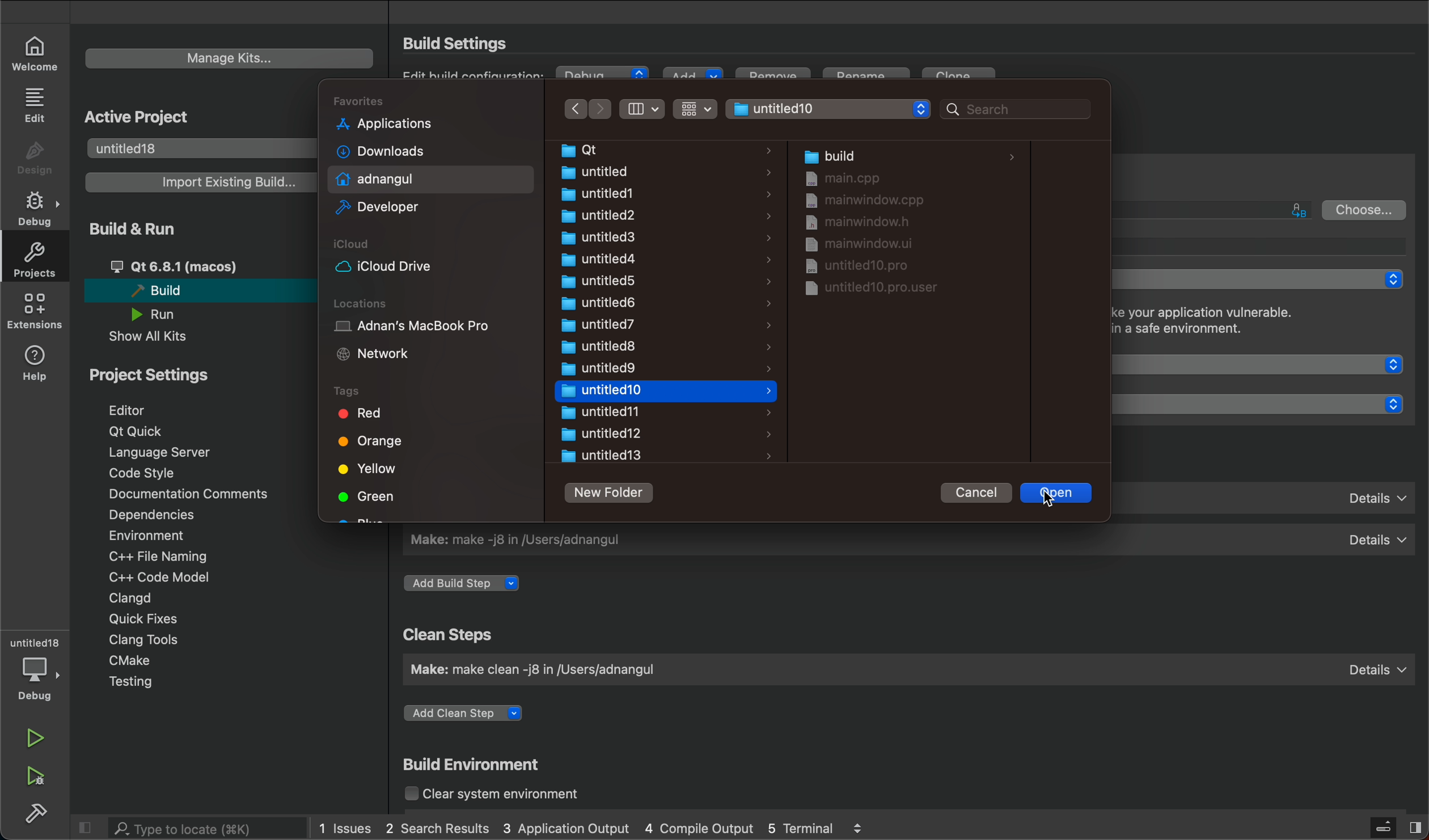 This screenshot has width=1429, height=840. What do you see at coordinates (373, 356) in the screenshot?
I see `Network` at bounding box center [373, 356].